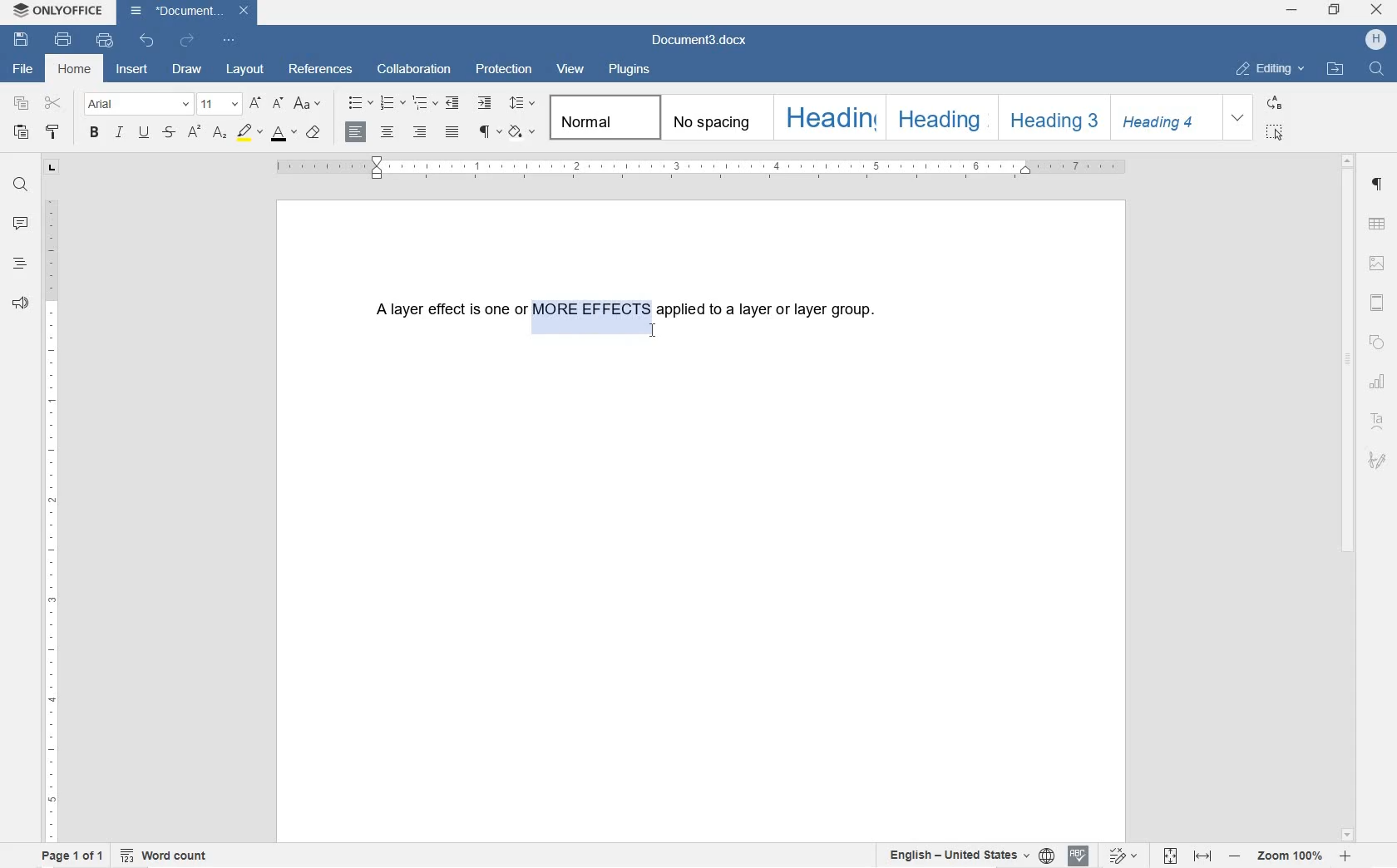 The image size is (1397, 868). I want to click on ALIGN CENTER, so click(387, 133).